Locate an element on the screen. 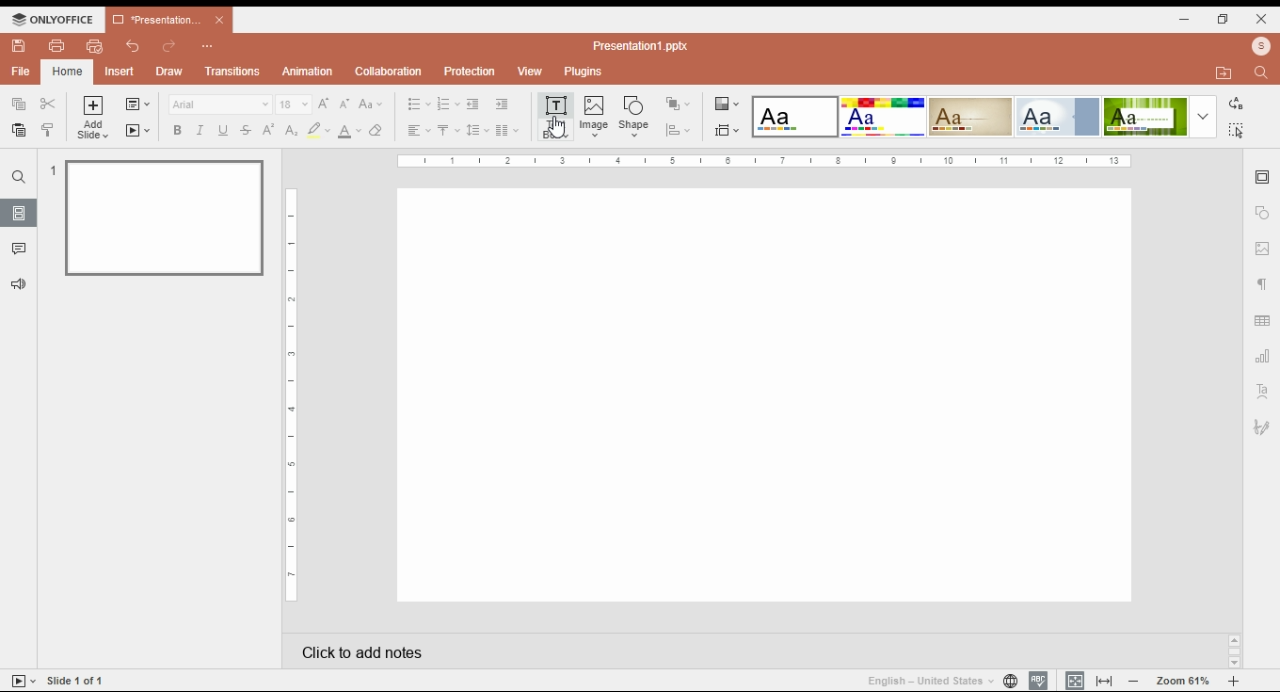 The image size is (1280, 692). language settings is located at coordinates (1009, 681).